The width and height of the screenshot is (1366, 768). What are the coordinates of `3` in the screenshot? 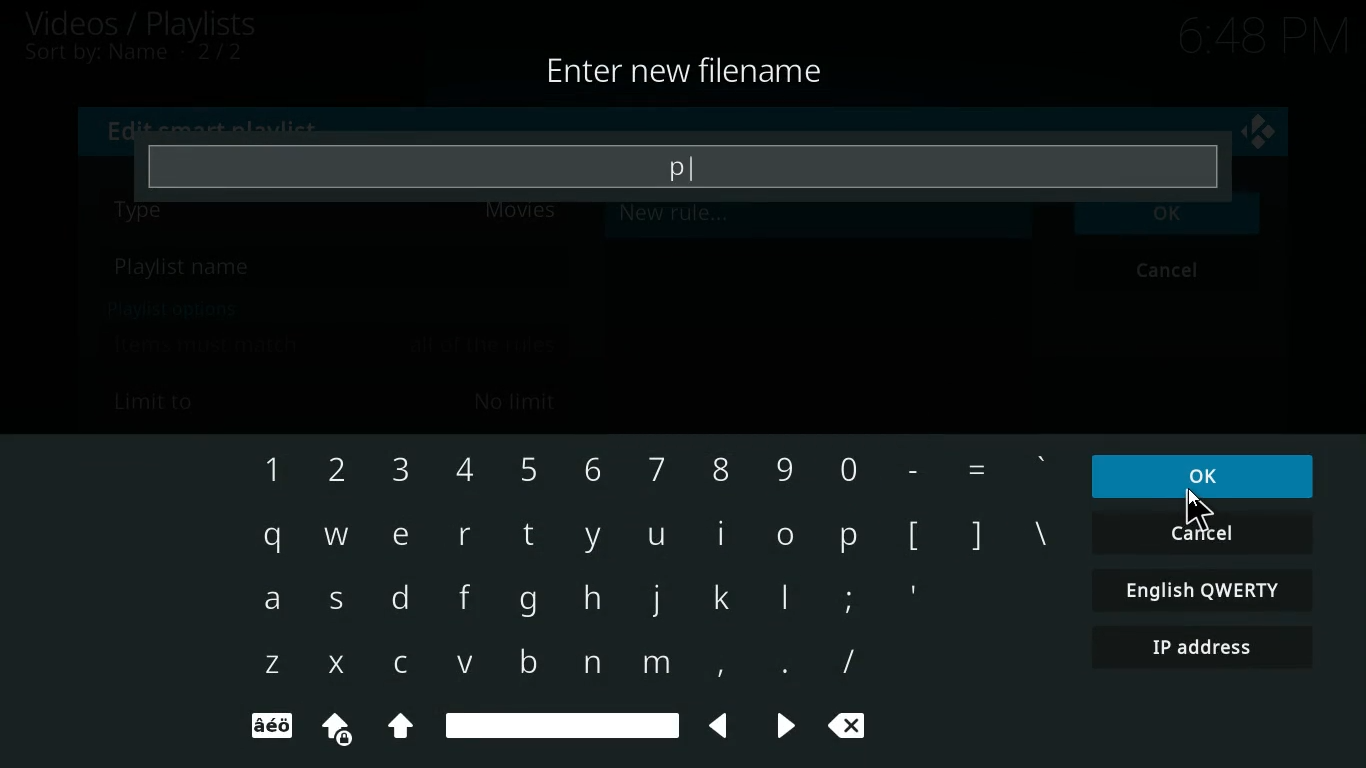 It's located at (397, 472).